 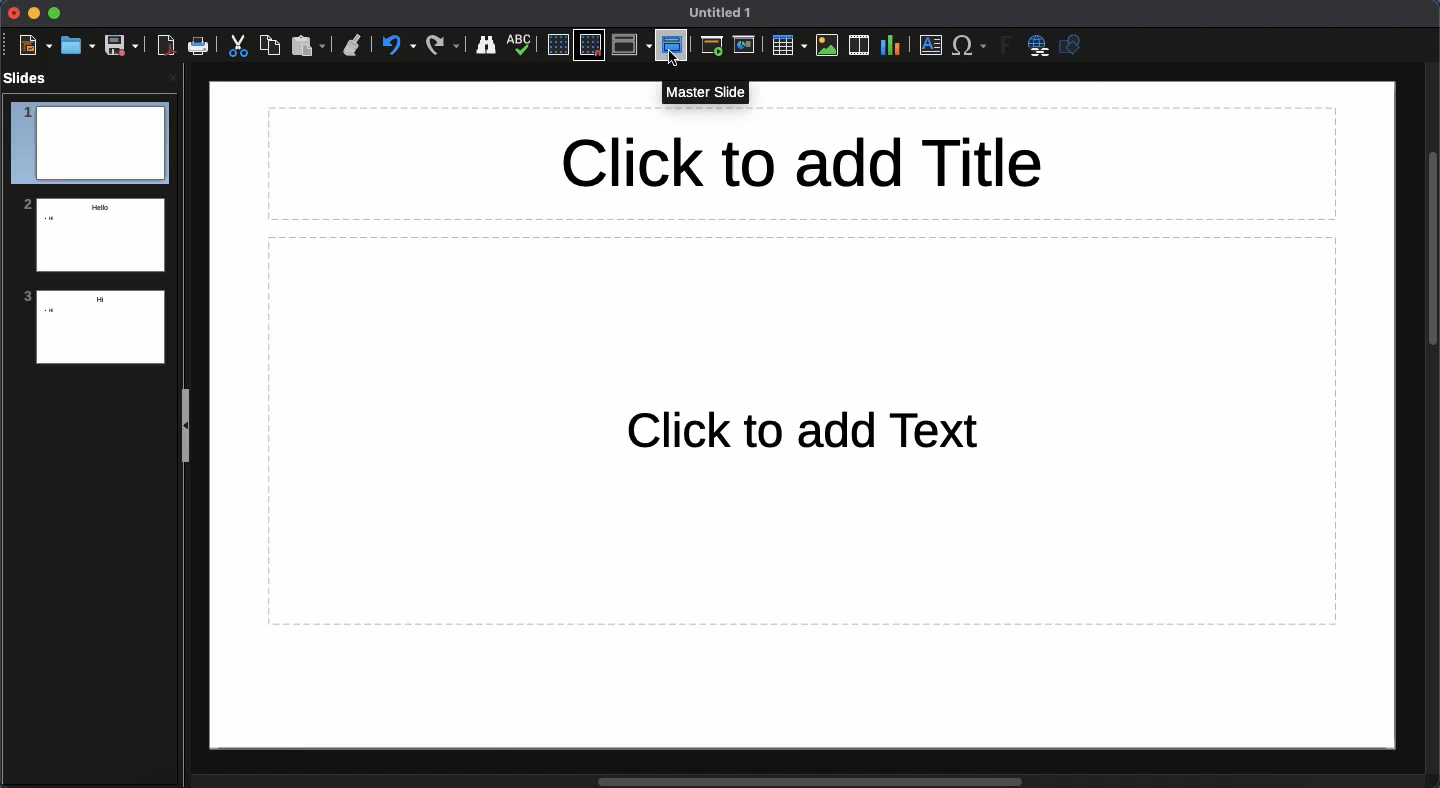 What do you see at coordinates (804, 163) in the screenshot?
I see `Title` at bounding box center [804, 163].